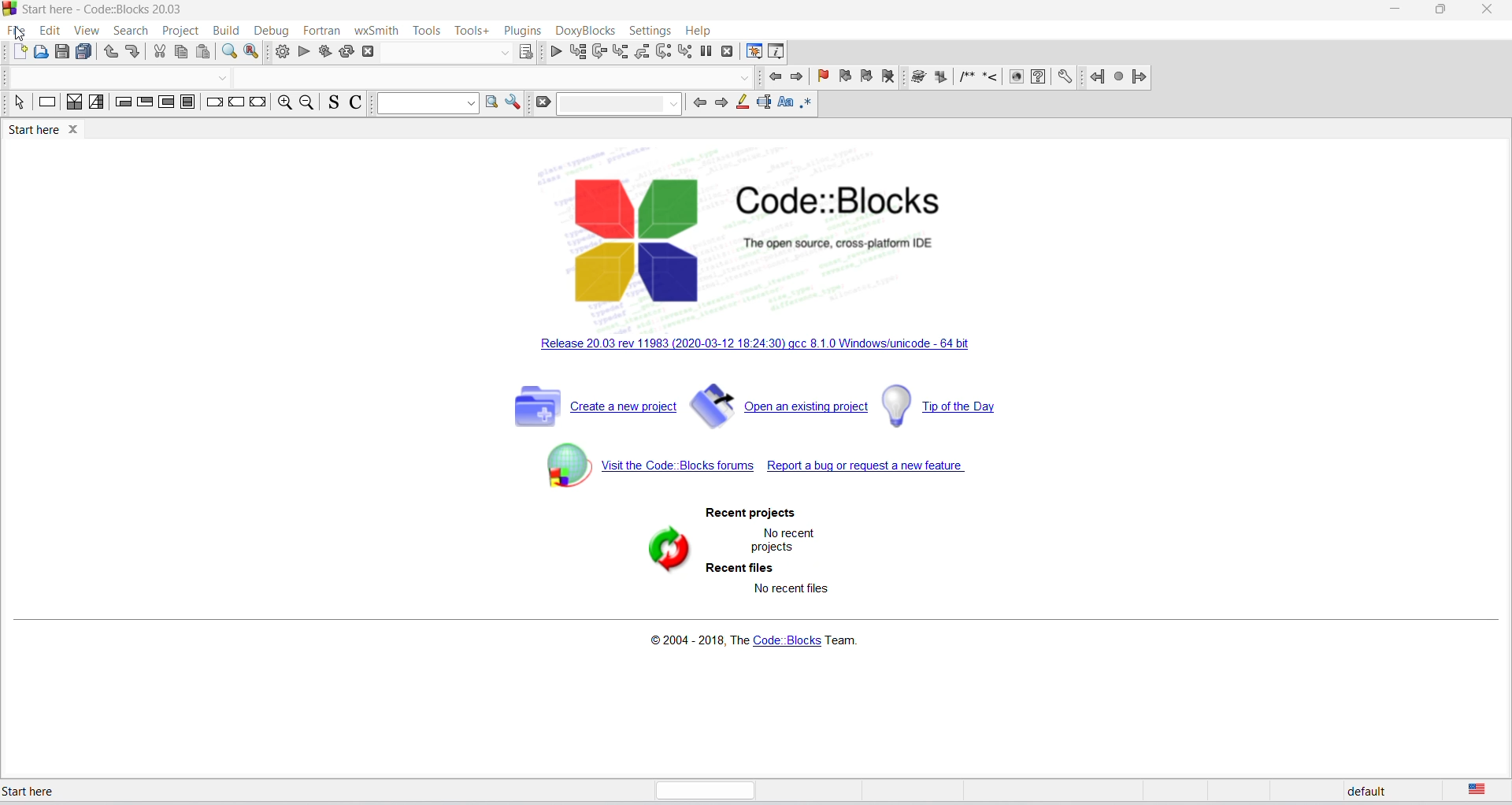 The width and height of the screenshot is (1512, 805). I want to click on code blocks logo, so click(762, 231).